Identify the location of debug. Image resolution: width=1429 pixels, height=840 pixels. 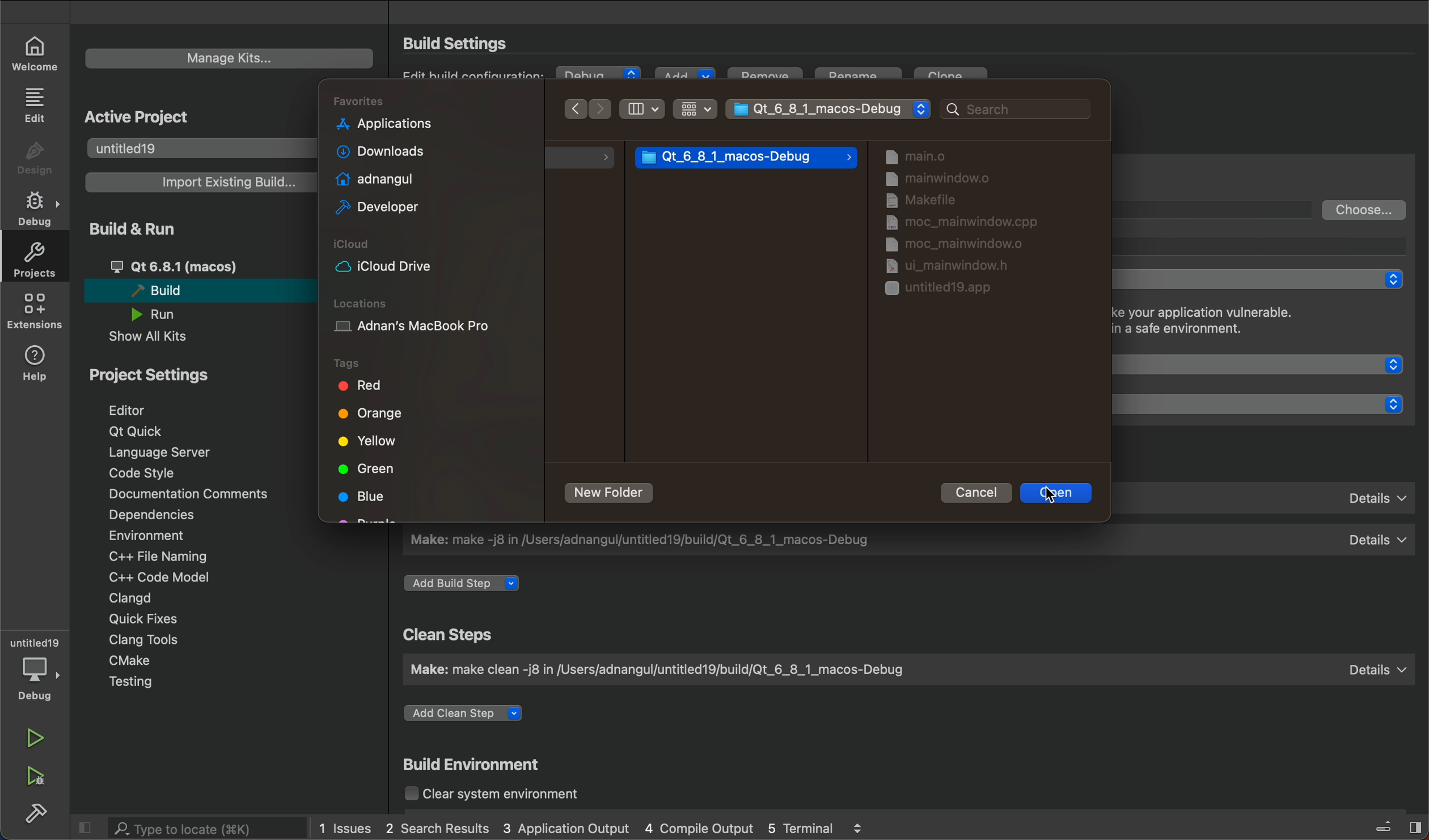
(599, 75).